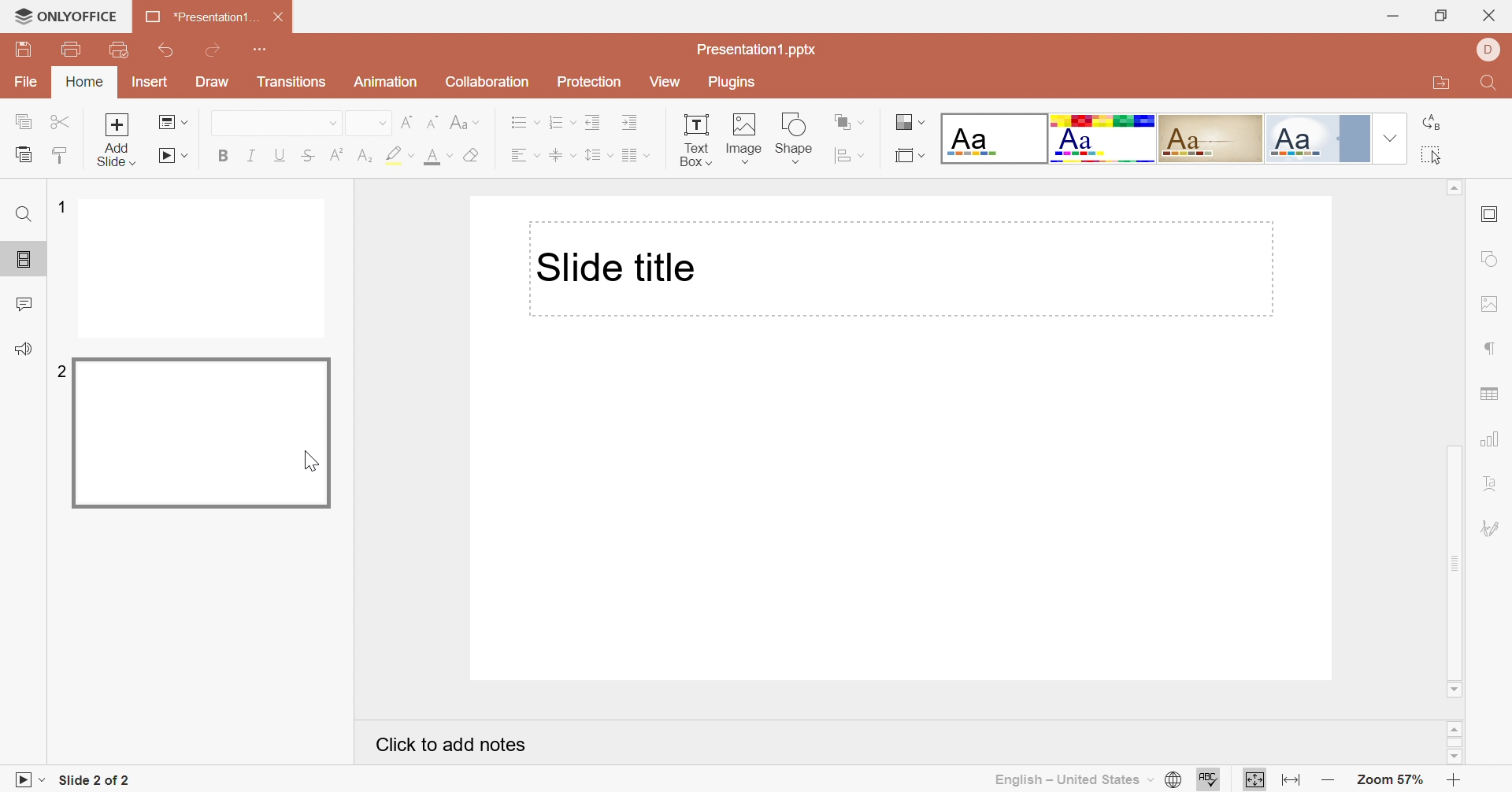 Image resolution: width=1512 pixels, height=792 pixels. Describe the element at coordinates (206, 268) in the screenshot. I see `Slide 1` at that location.